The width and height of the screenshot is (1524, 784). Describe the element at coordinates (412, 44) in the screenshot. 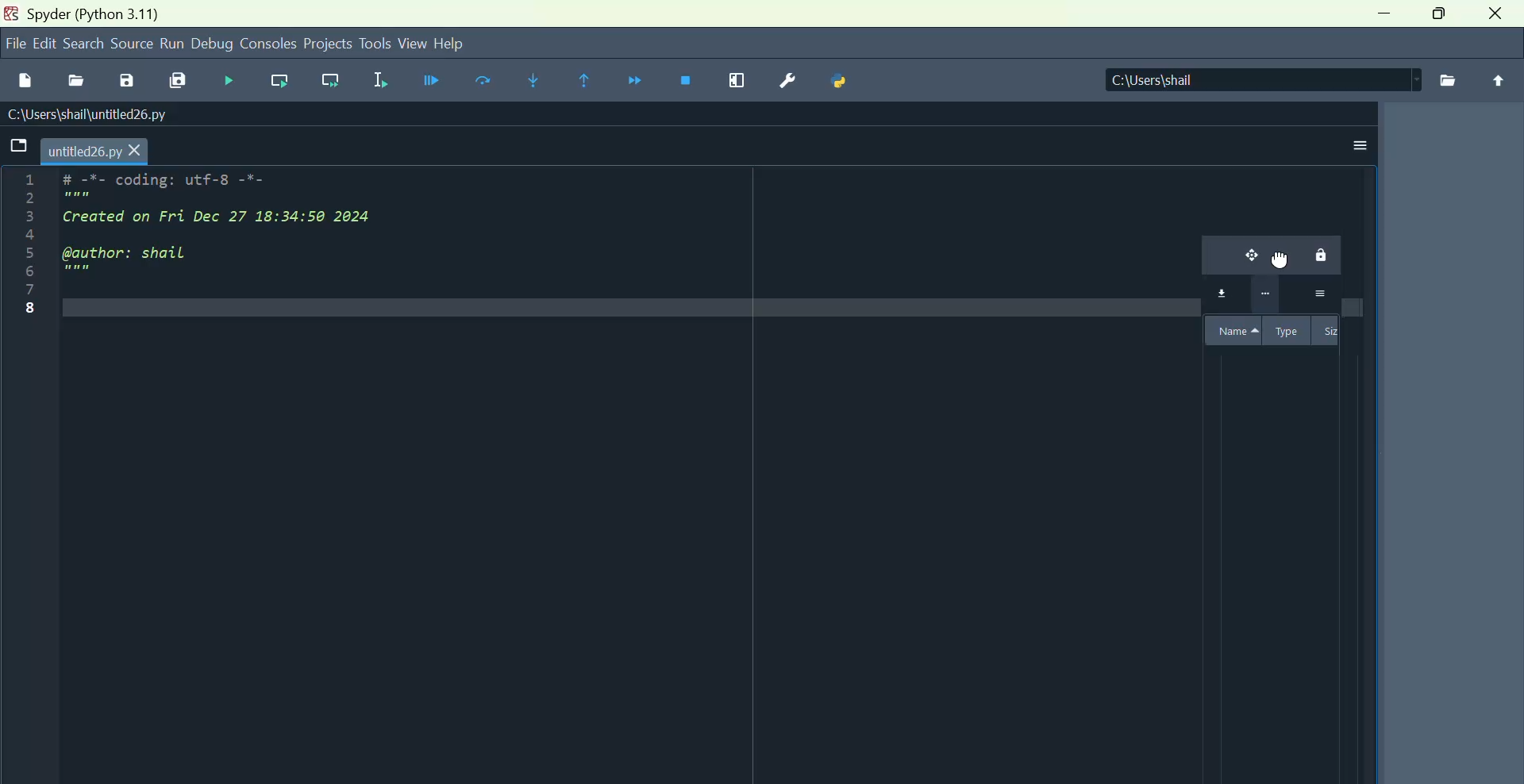

I see `view` at that location.